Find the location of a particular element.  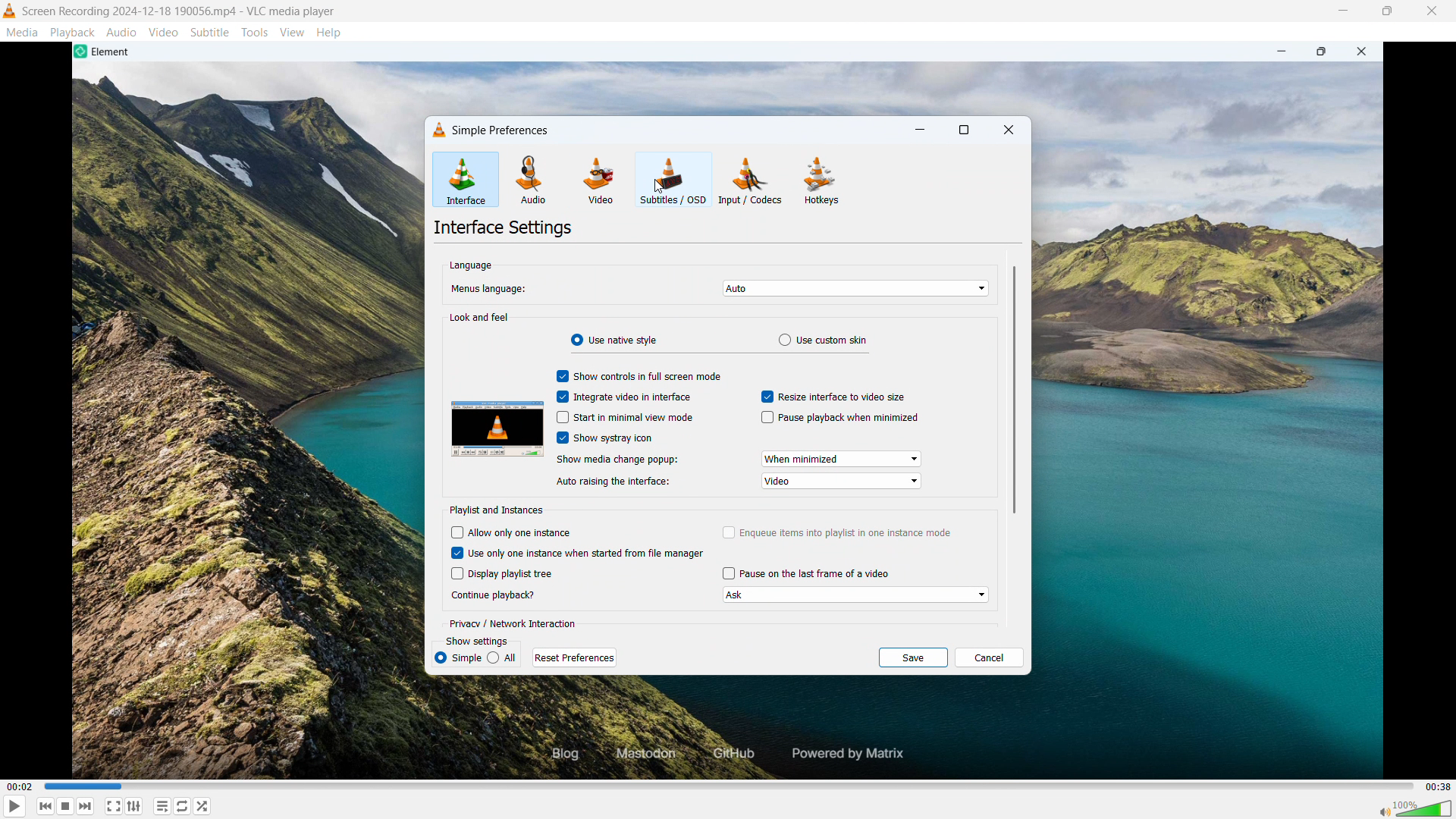

Pause on the last frame of video  is located at coordinates (817, 575).